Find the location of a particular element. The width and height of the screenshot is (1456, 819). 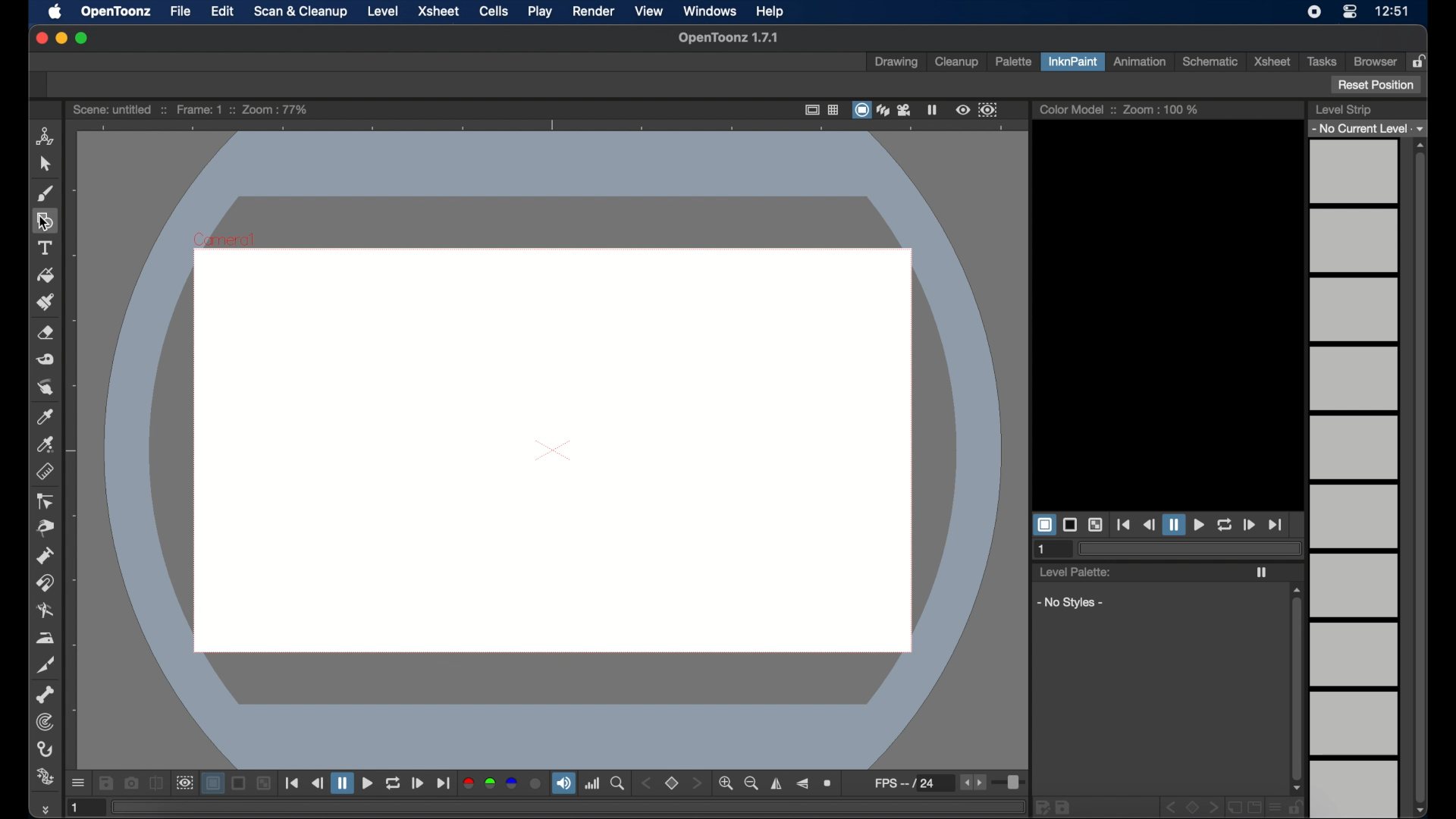

scan and cleanup is located at coordinates (302, 11).